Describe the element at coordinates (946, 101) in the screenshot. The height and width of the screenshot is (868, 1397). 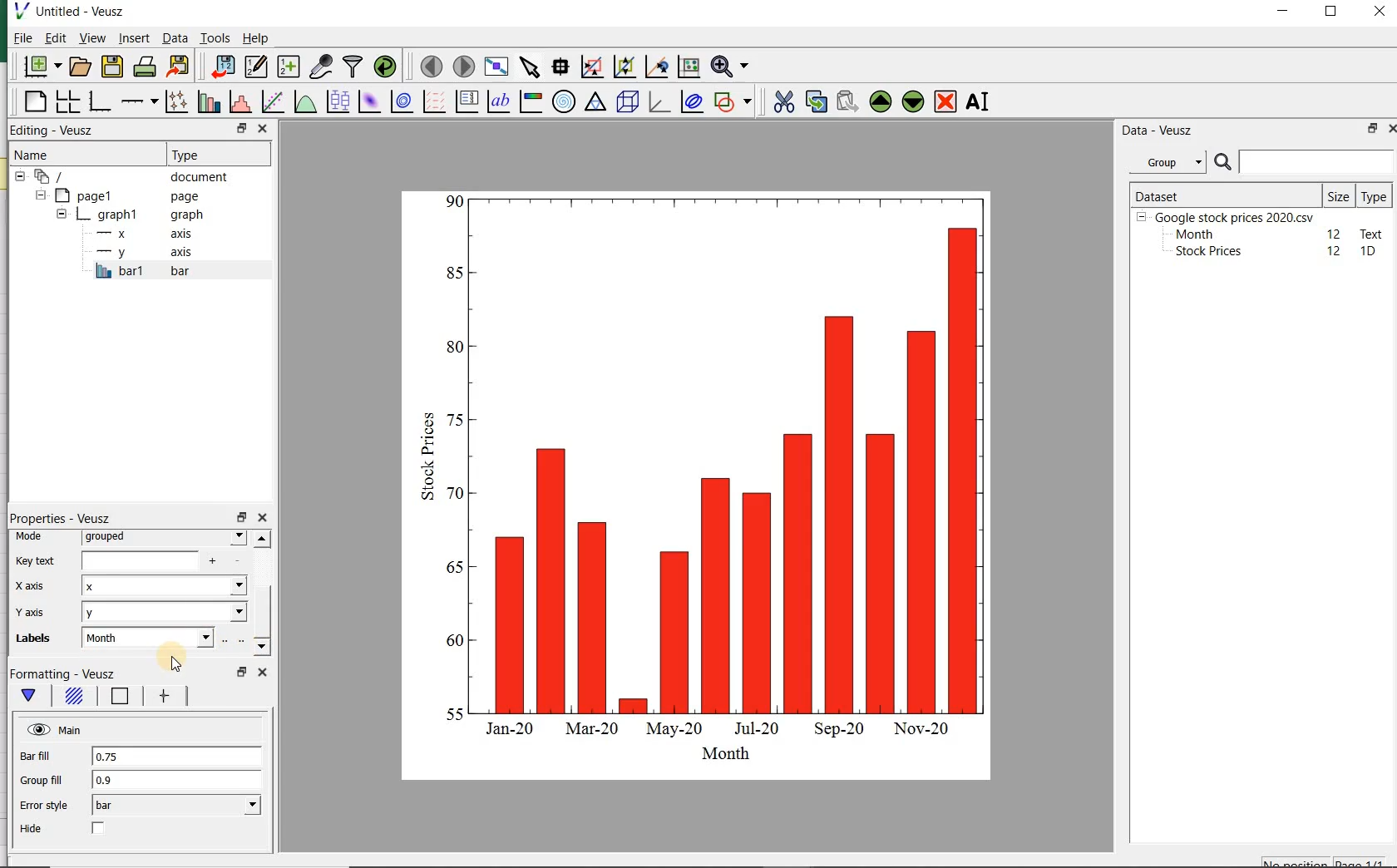
I see `remove the selected widget` at that location.